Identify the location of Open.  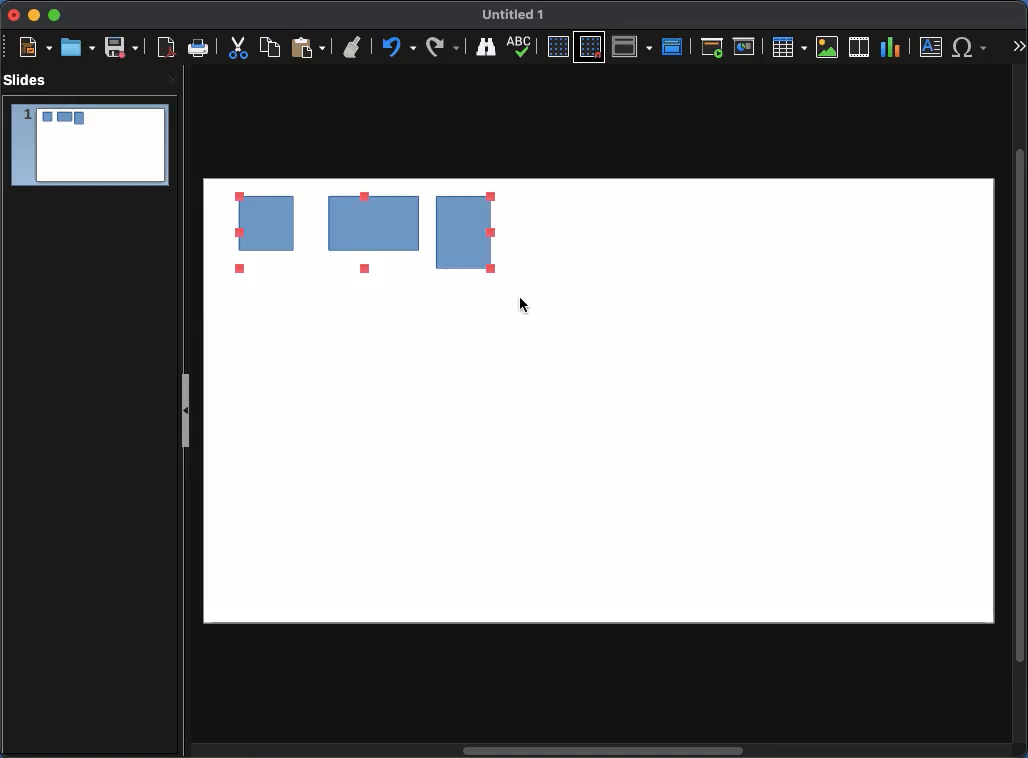
(78, 46).